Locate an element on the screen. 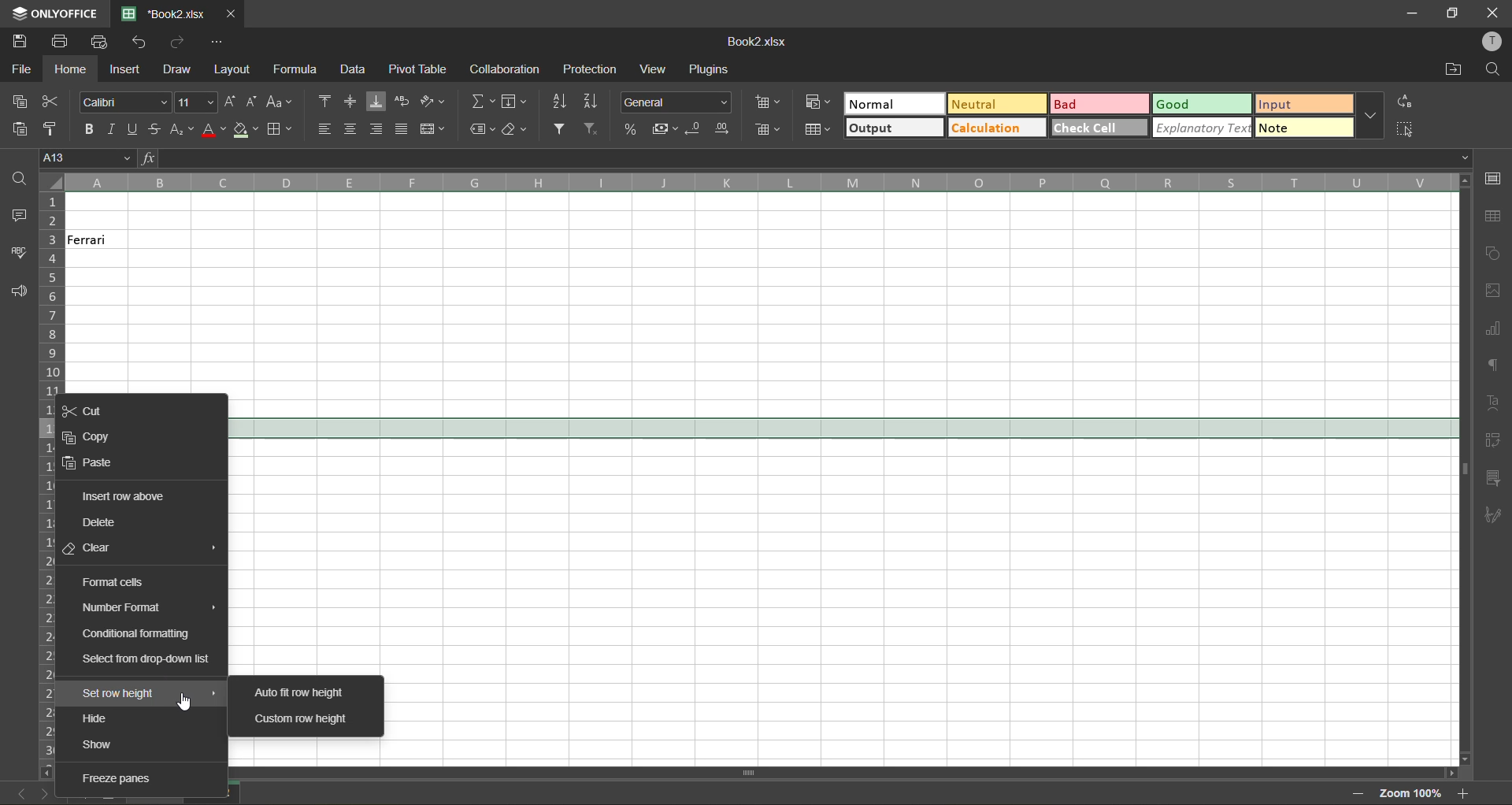  fields is located at coordinates (514, 103).